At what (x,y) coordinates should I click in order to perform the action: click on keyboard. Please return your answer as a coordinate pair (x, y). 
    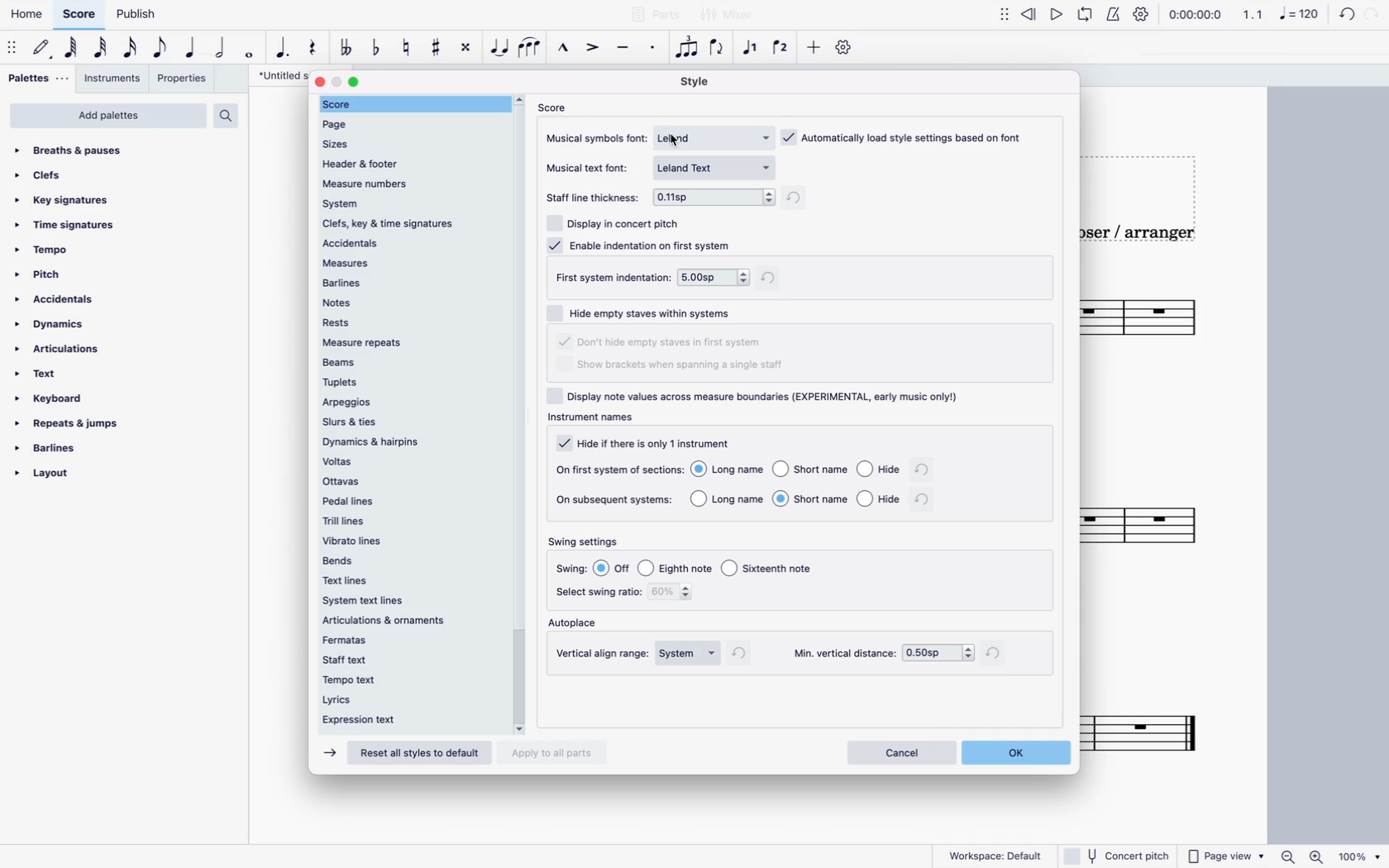
    Looking at the image, I should click on (56, 398).